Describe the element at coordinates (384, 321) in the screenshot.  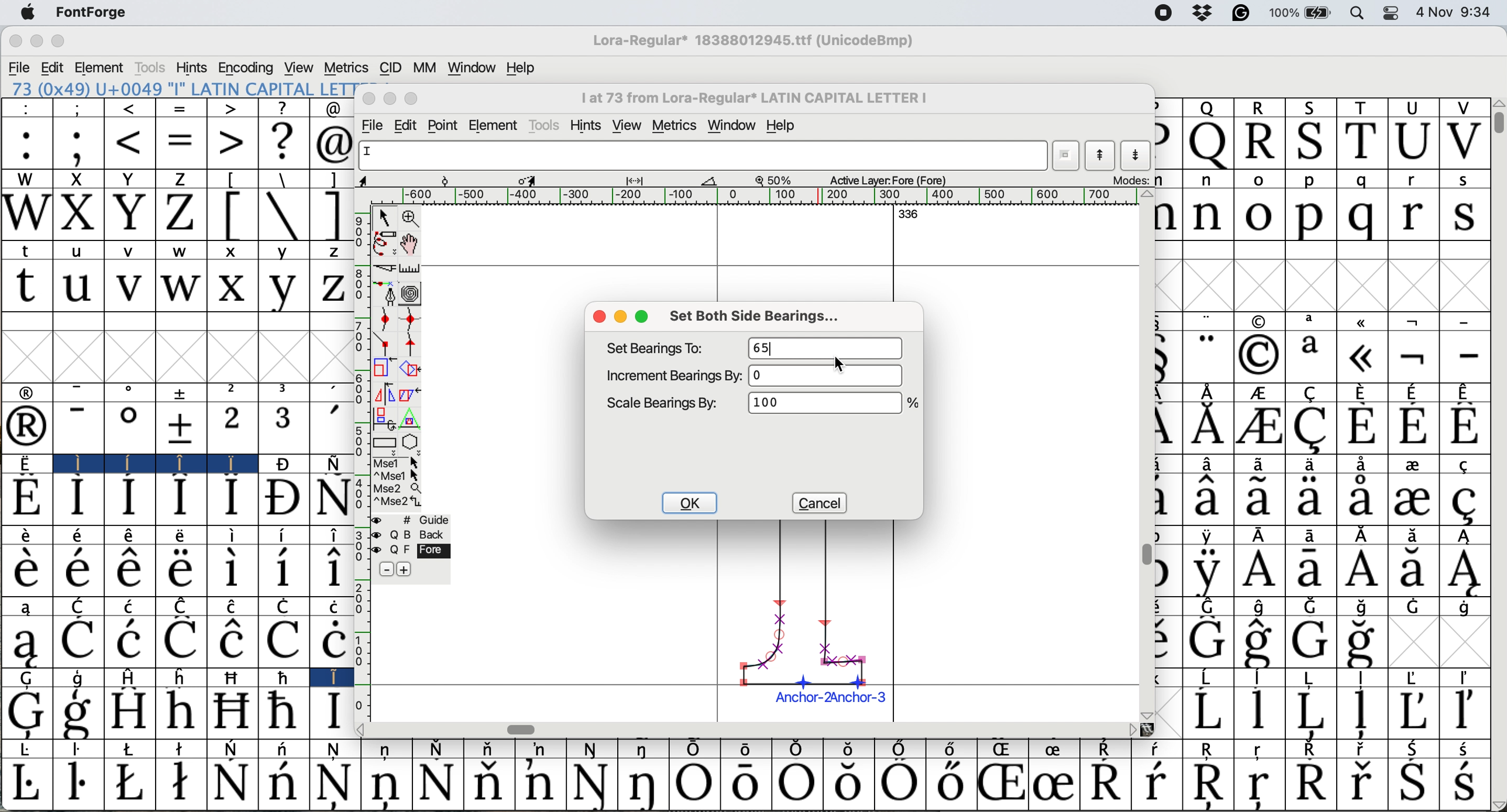
I see `add a curve point` at that location.